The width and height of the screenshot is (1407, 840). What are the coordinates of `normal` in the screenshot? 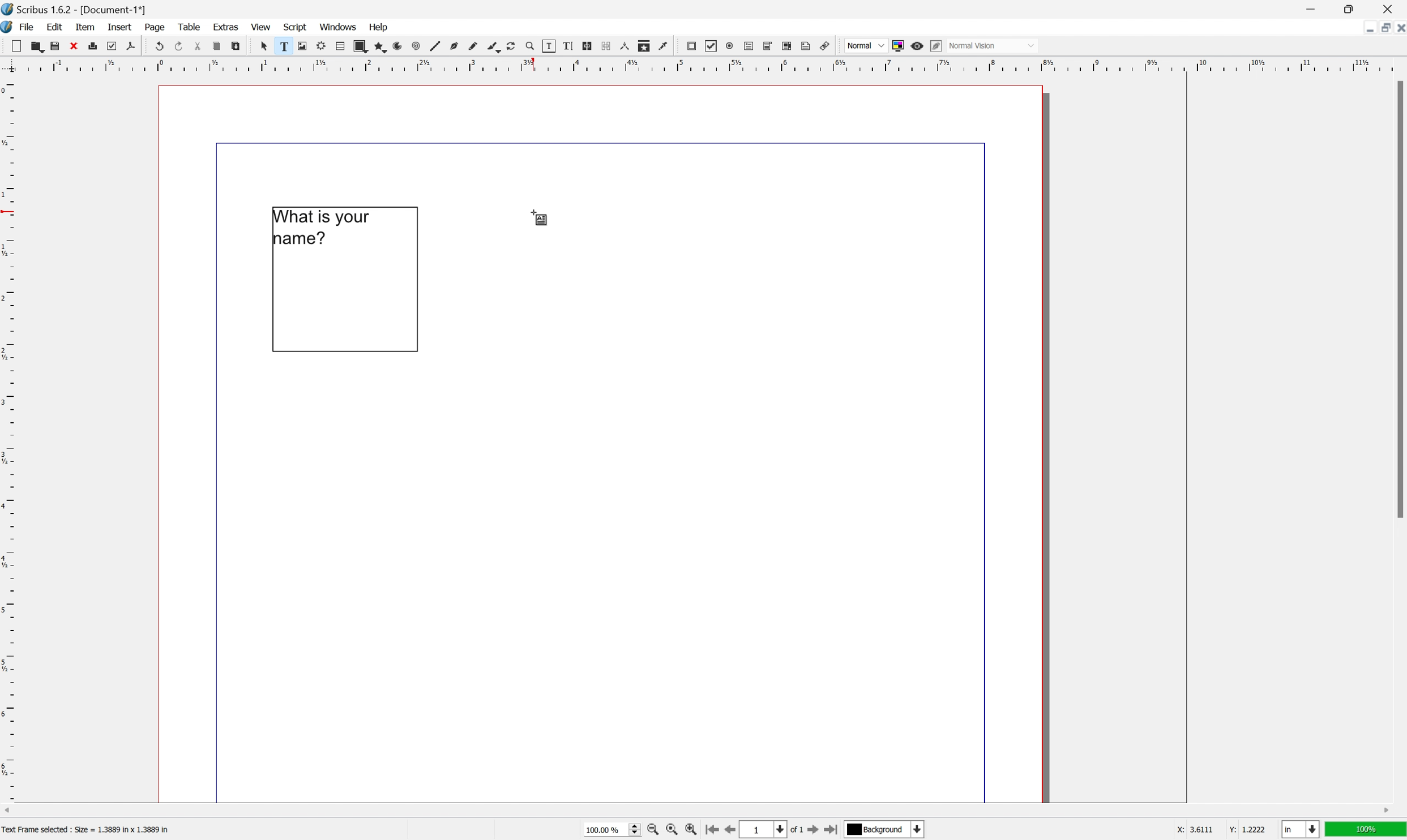 It's located at (866, 45).